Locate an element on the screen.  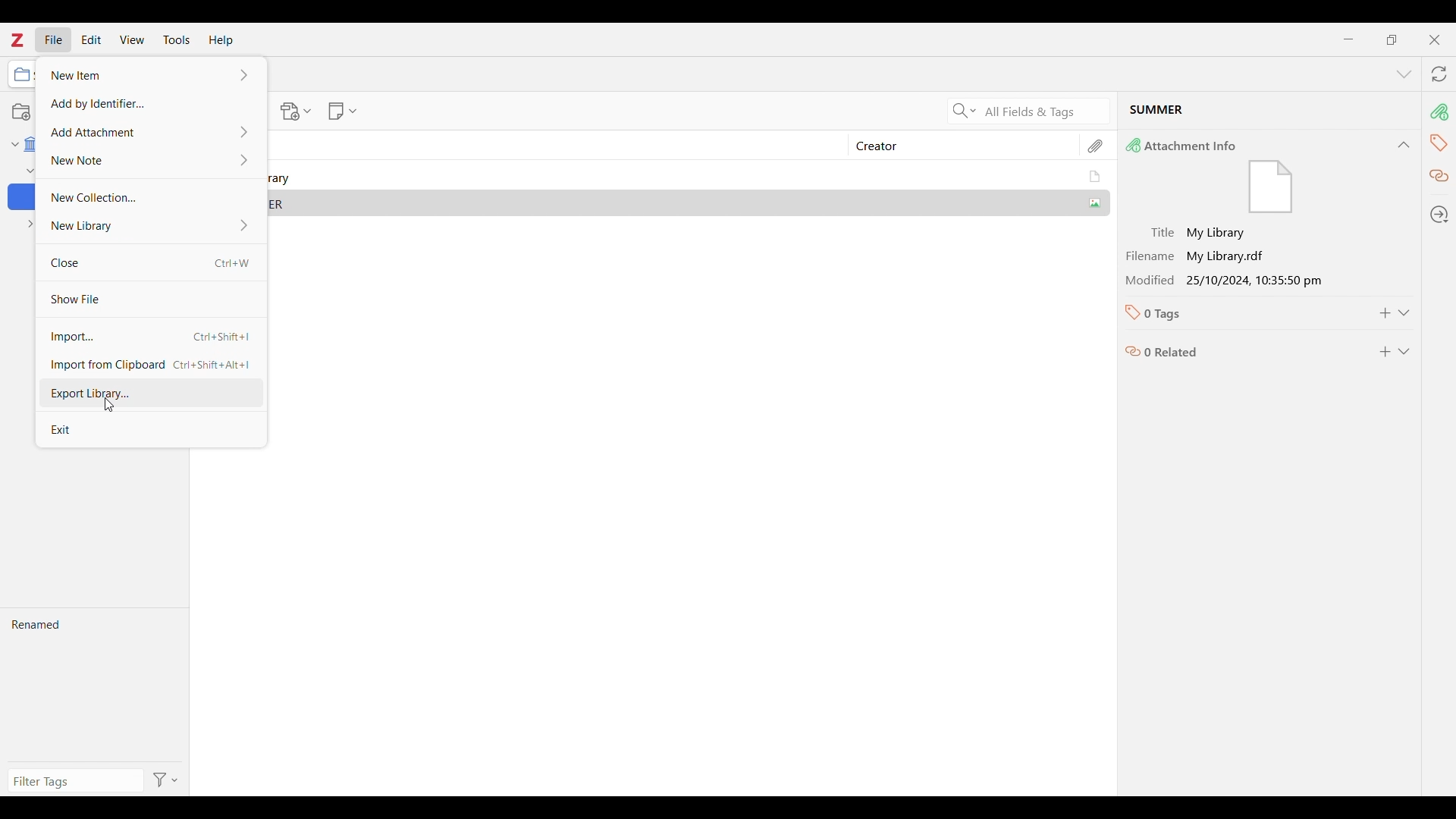
New note  is located at coordinates (342, 111).